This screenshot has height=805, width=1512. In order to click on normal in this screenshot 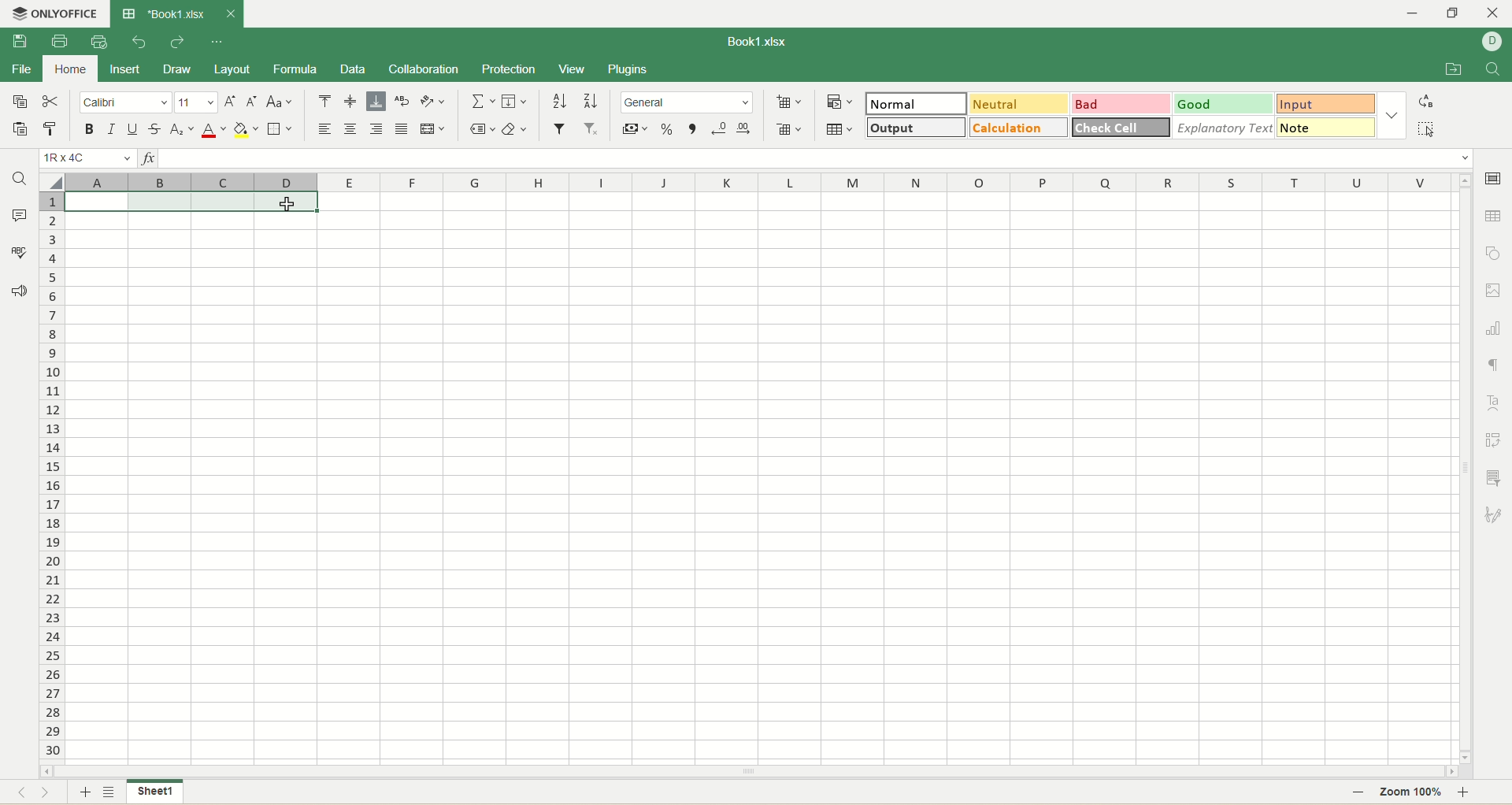, I will do `click(916, 103)`.